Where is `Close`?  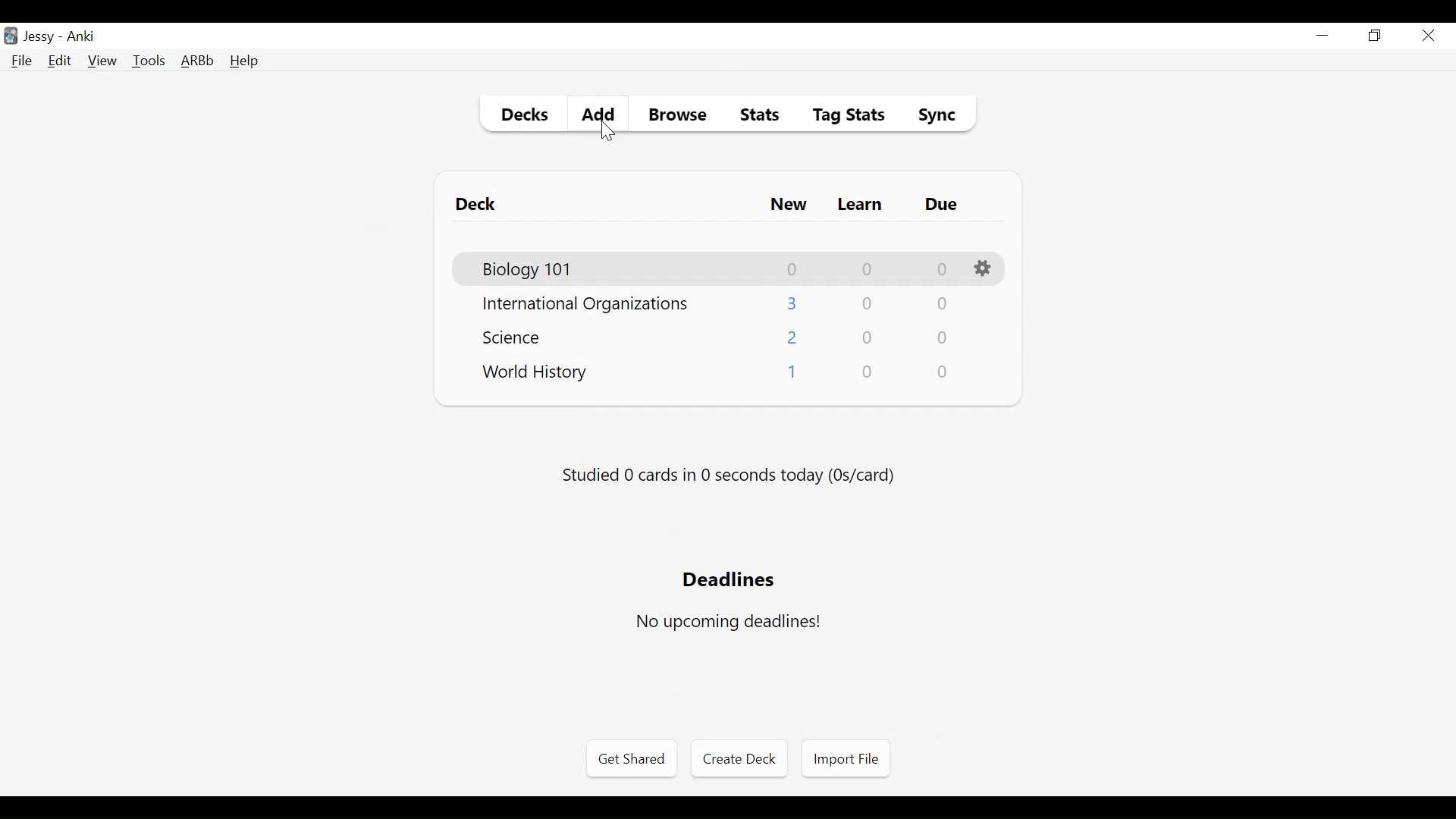
Close is located at coordinates (1428, 36).